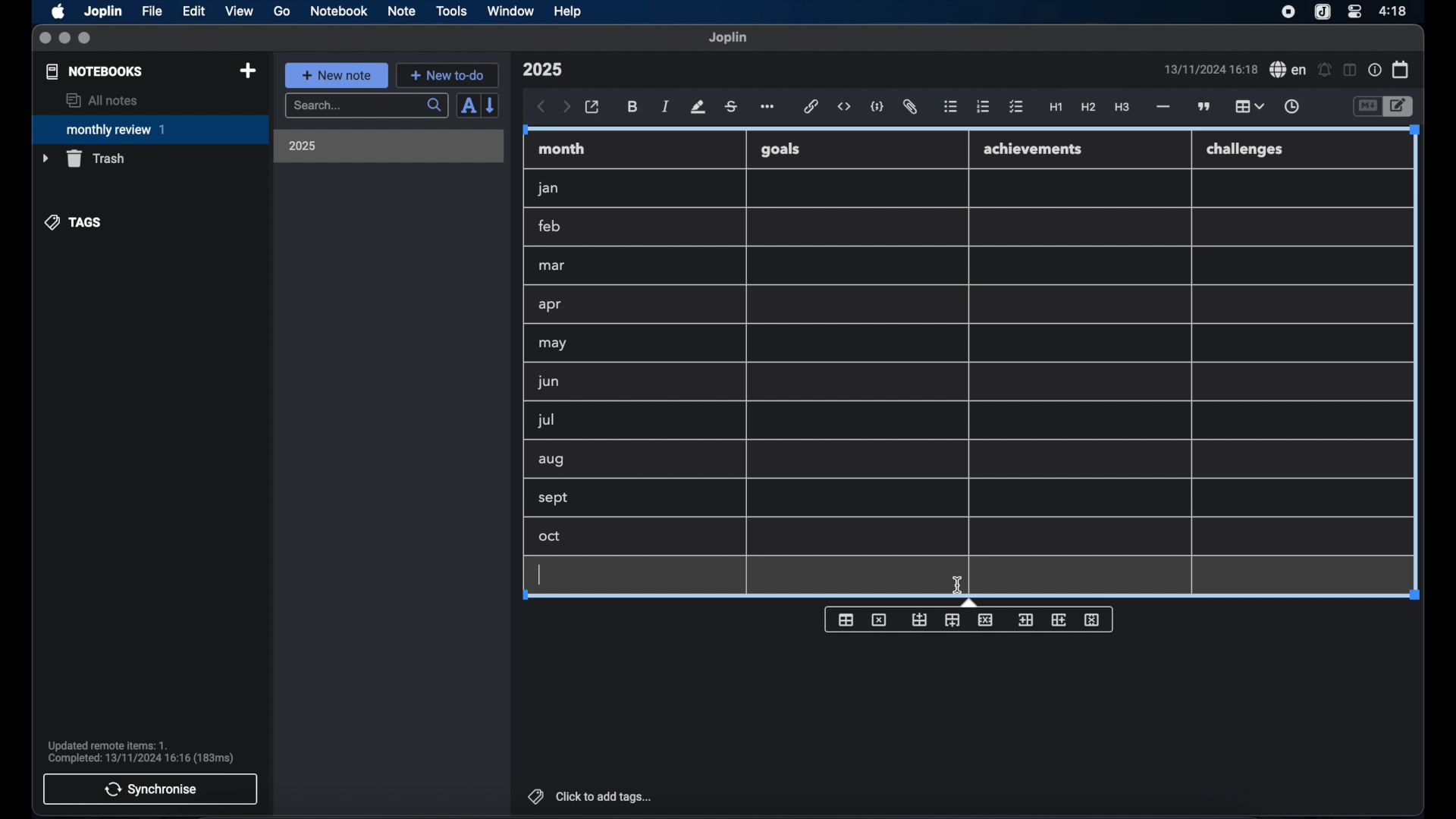 The image size is (1456, 819). Describe the element at coordinates (152, 11) in the screenshot. I see `file` at that location.